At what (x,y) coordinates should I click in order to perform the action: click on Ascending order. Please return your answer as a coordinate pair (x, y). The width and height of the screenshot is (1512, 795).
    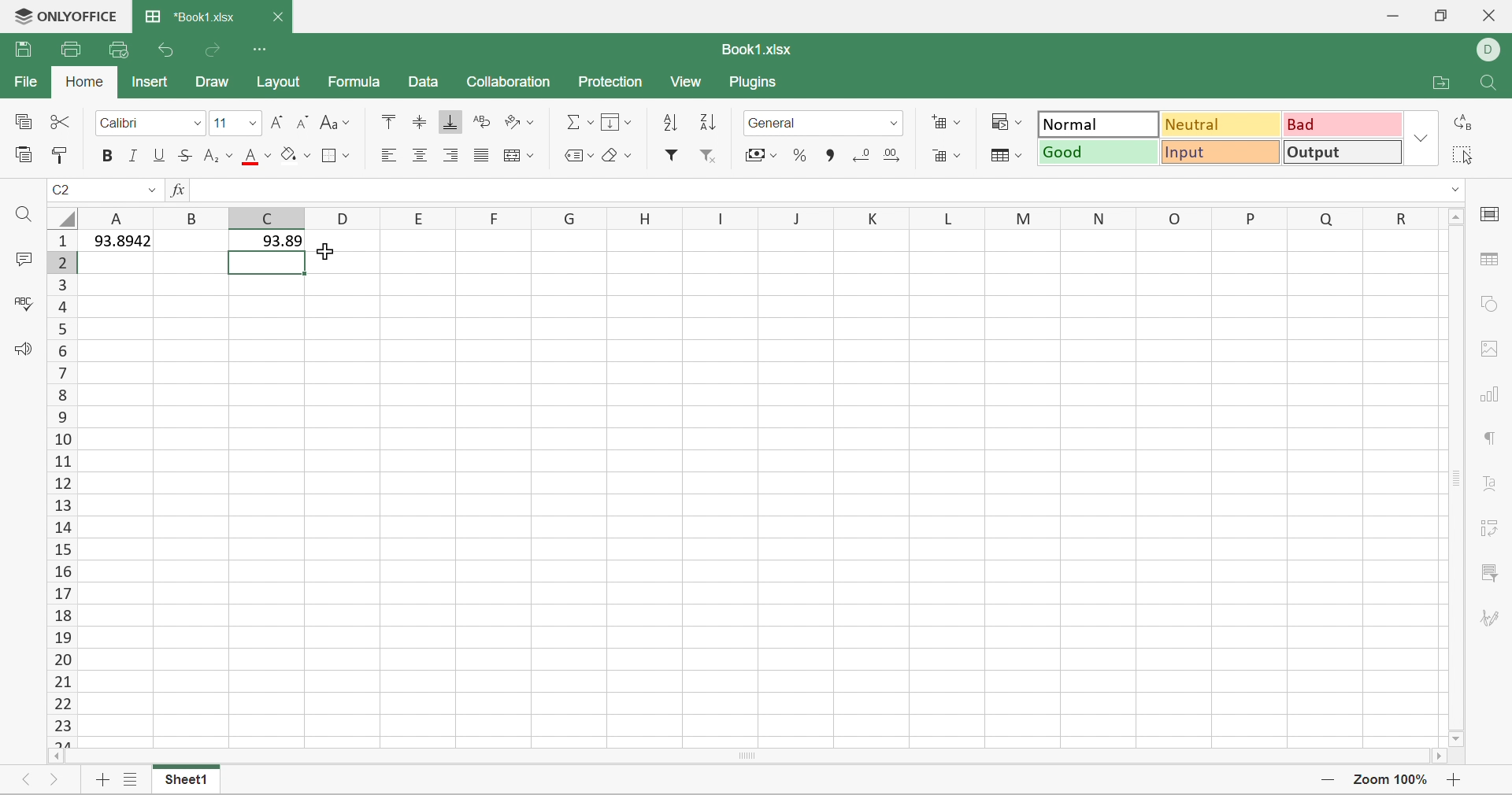
    Looking at the image, I should click on (671, 120).